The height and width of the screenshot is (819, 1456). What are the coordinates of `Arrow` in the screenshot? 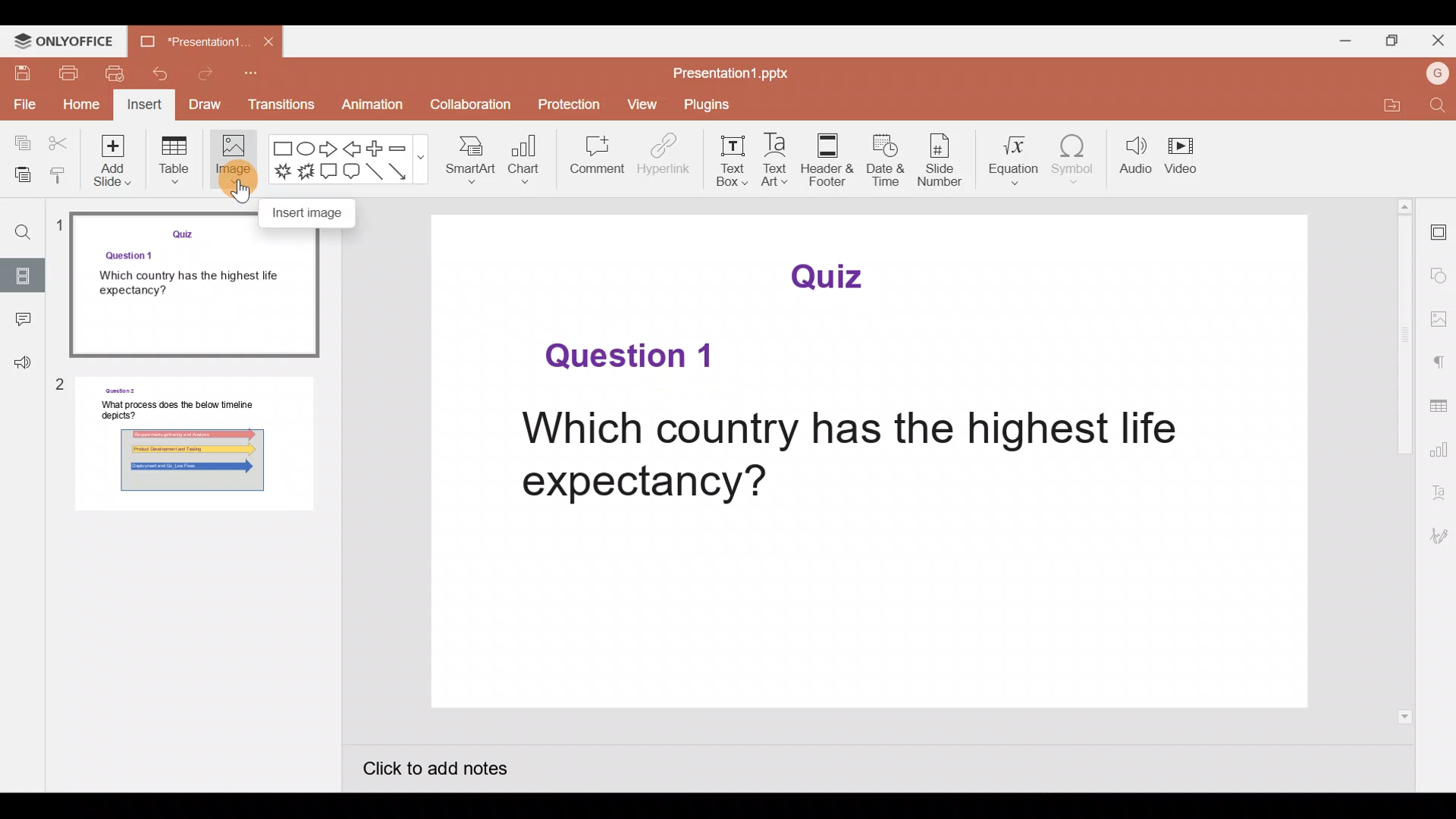 It's located at (402, 174).